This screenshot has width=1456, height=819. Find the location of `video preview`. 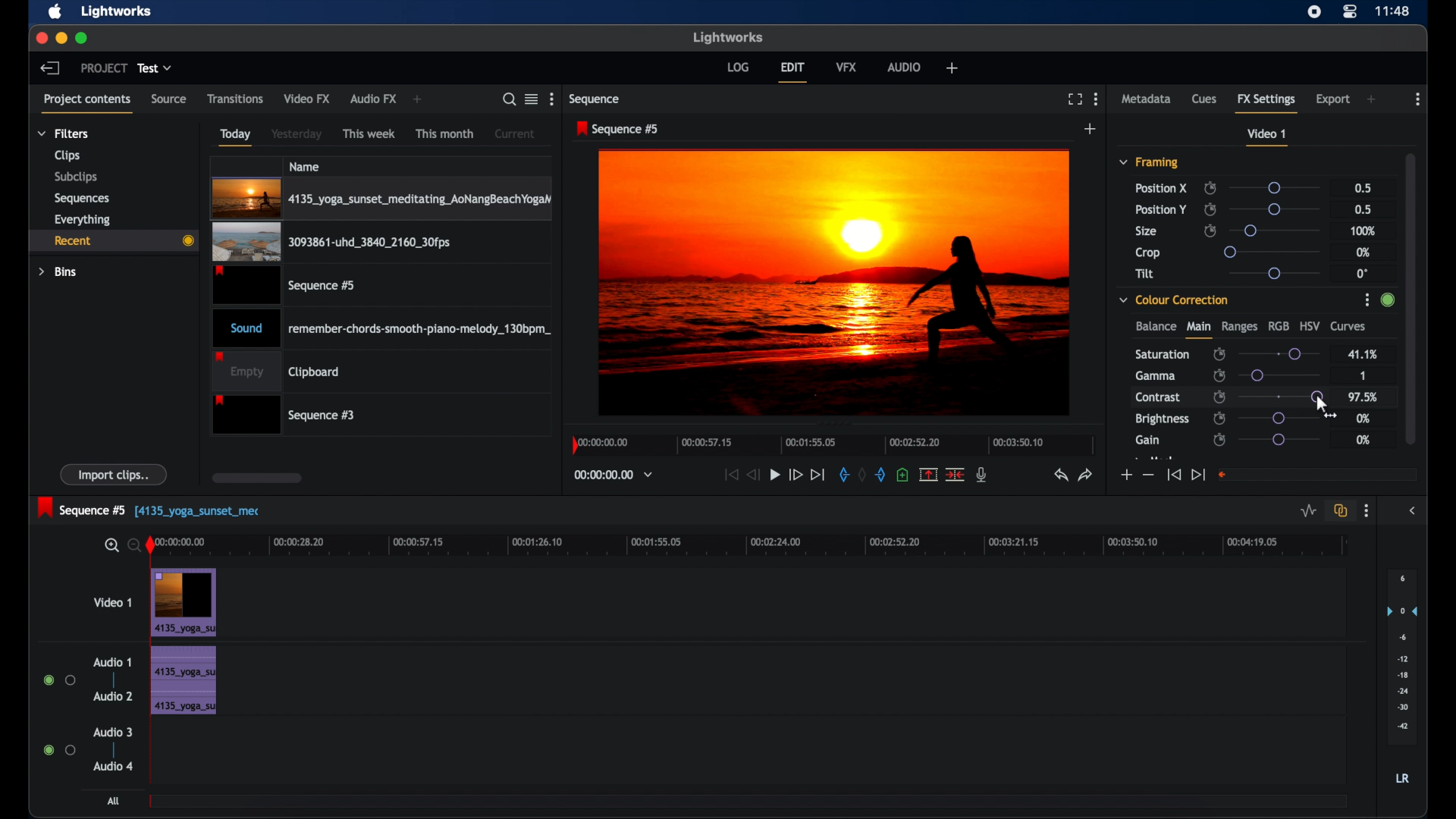

video preview is located at coordinates (836, 284).